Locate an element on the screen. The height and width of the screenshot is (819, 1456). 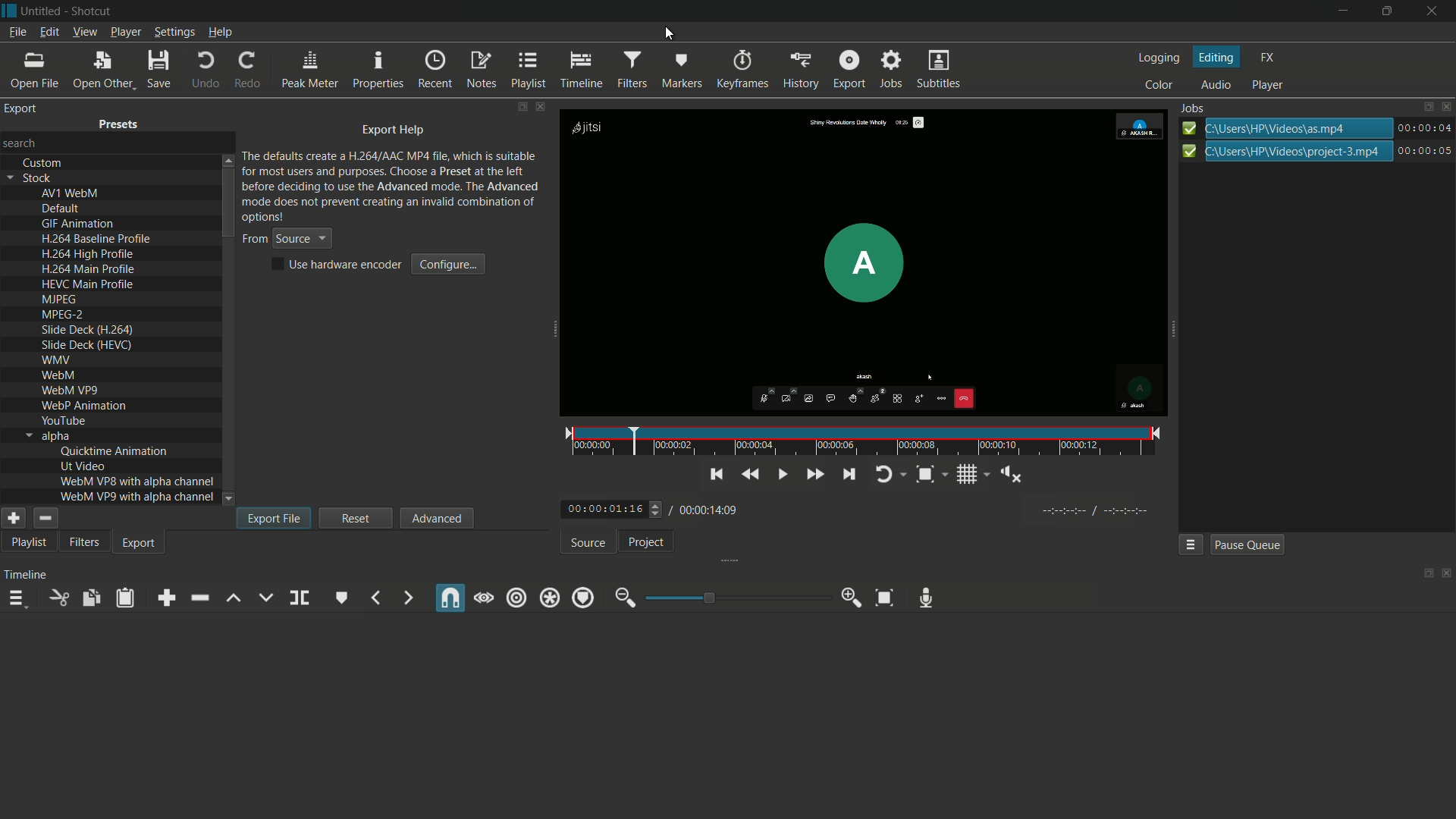
 is located at coordinates (124, 31).